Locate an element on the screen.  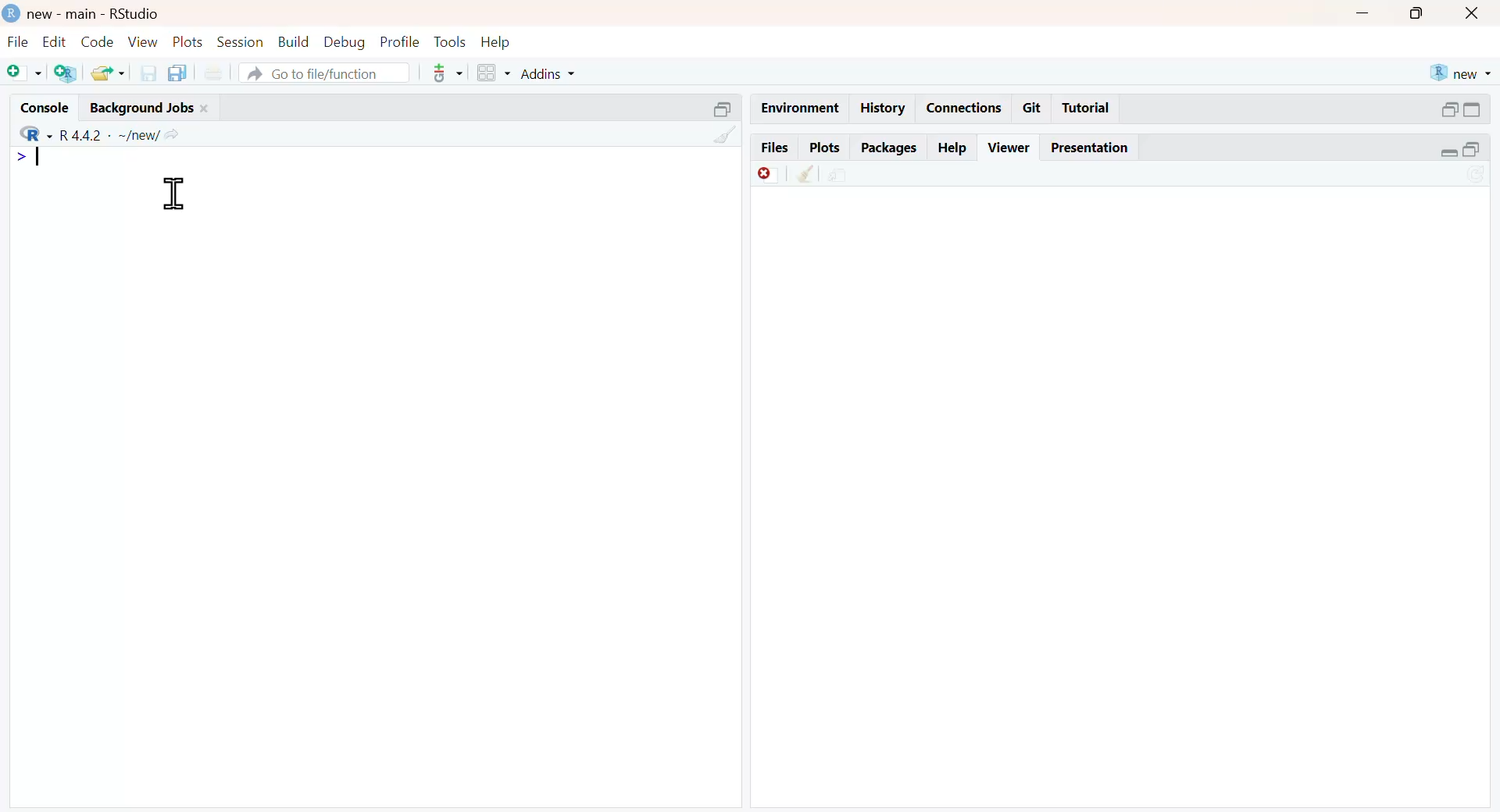
typing indicator is located at coordinates (37, 157).